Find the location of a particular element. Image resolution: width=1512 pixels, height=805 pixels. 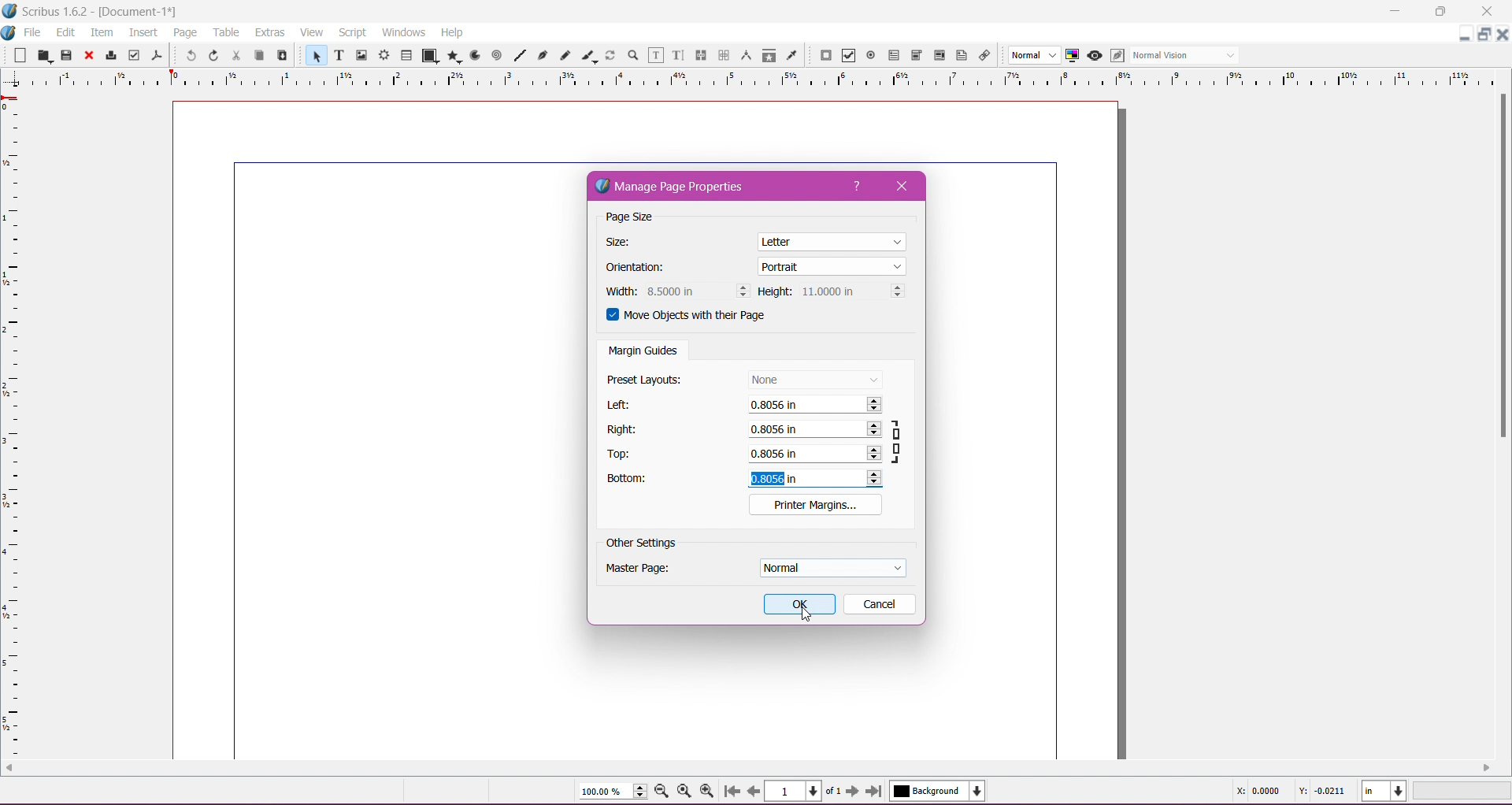

Copy Item Properties is located at coordinates (769, 55).